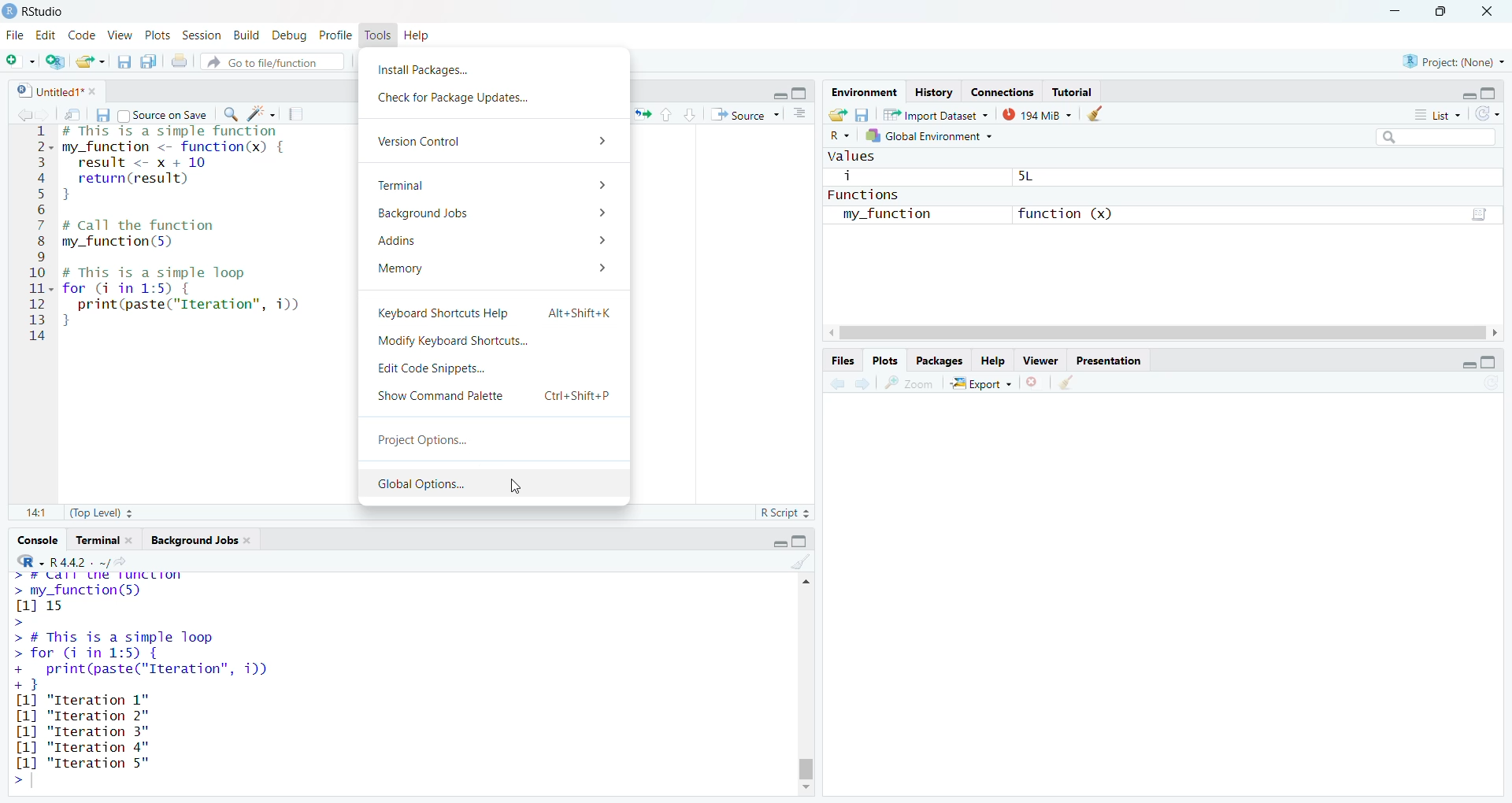 This screenshot has width=1512, height=803. I want to click on Memory, so click(493, 268).